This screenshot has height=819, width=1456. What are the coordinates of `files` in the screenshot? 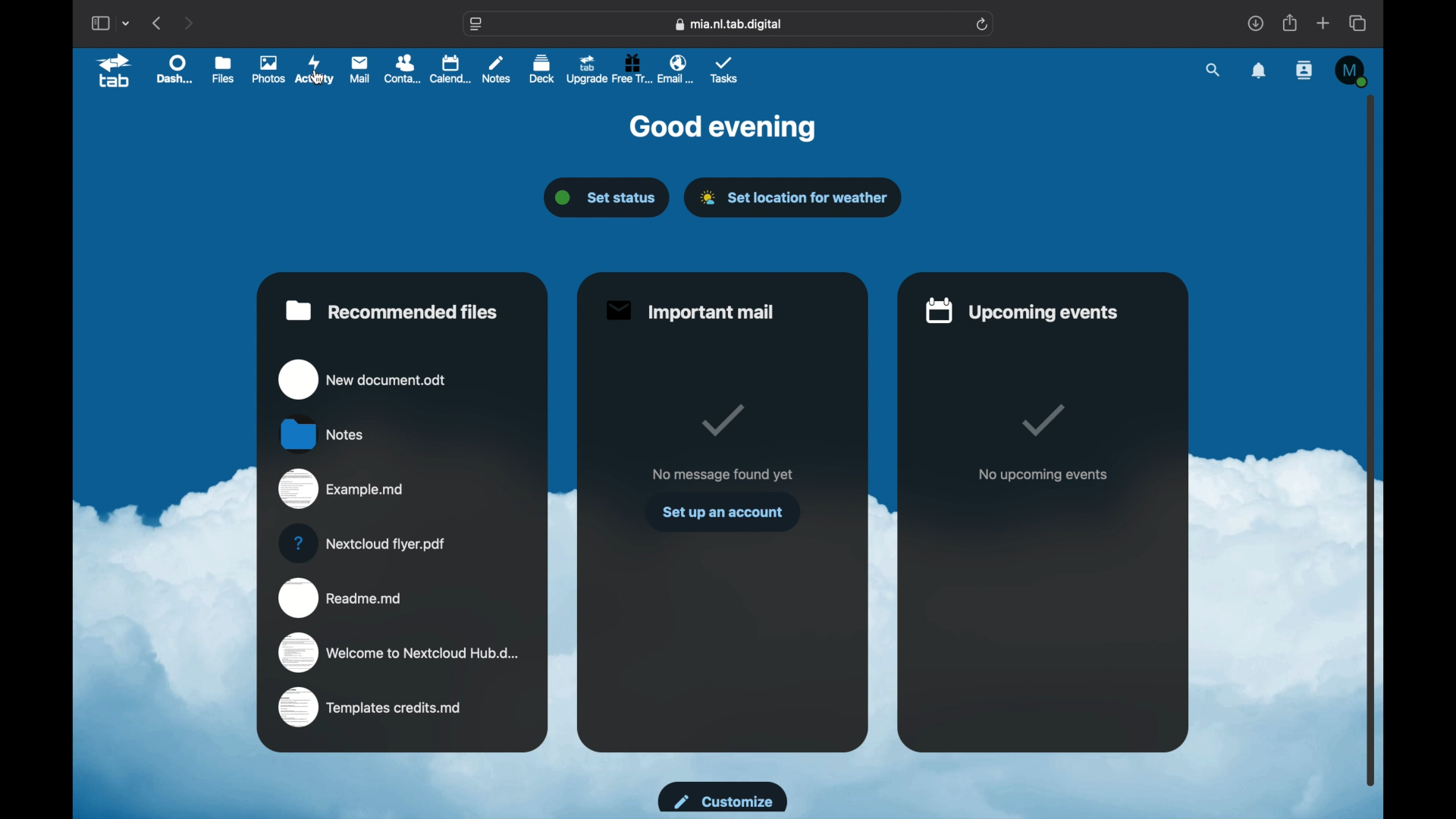 It's located at (224, 71).